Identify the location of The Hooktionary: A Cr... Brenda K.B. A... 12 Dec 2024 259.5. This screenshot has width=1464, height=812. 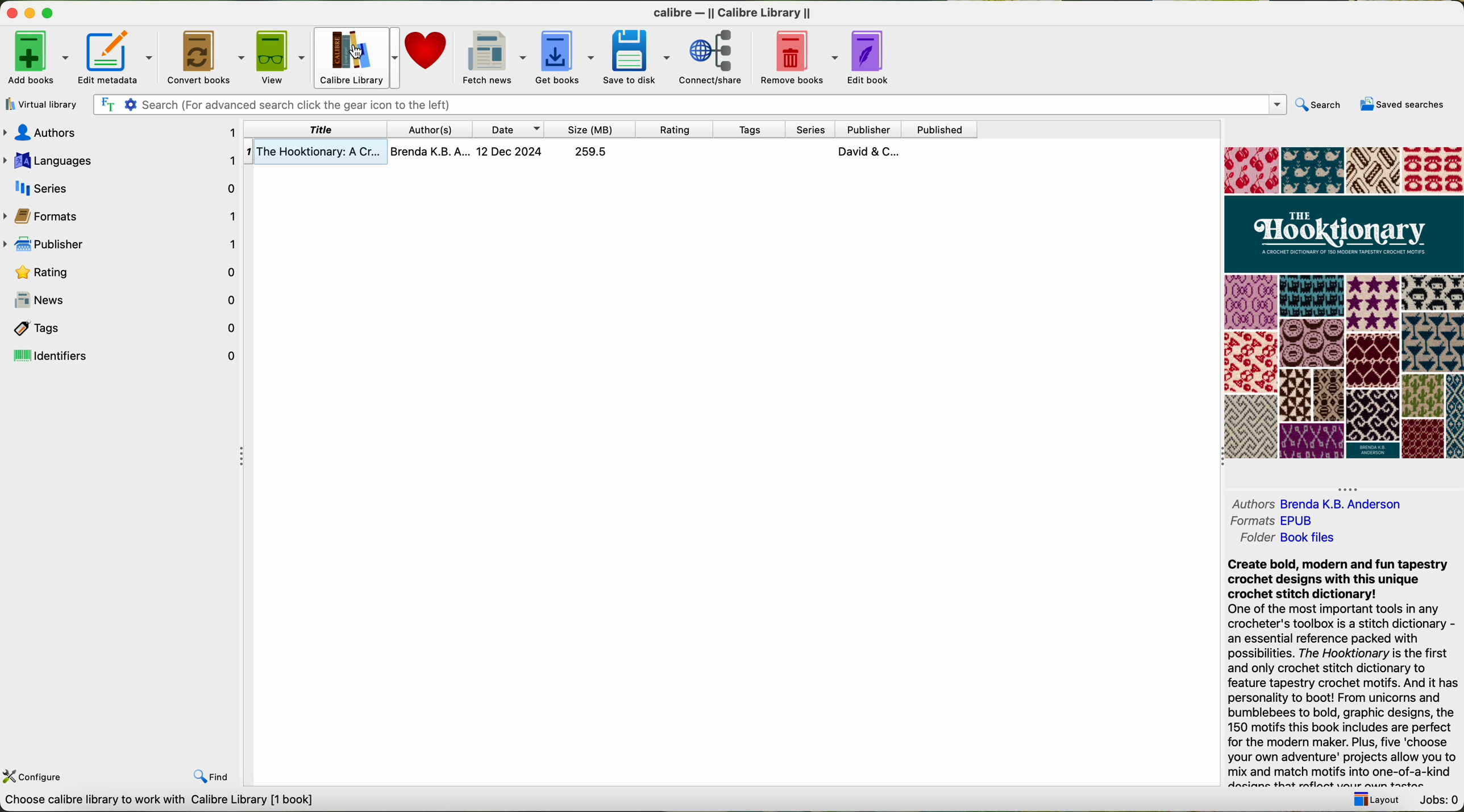
(621, 153).